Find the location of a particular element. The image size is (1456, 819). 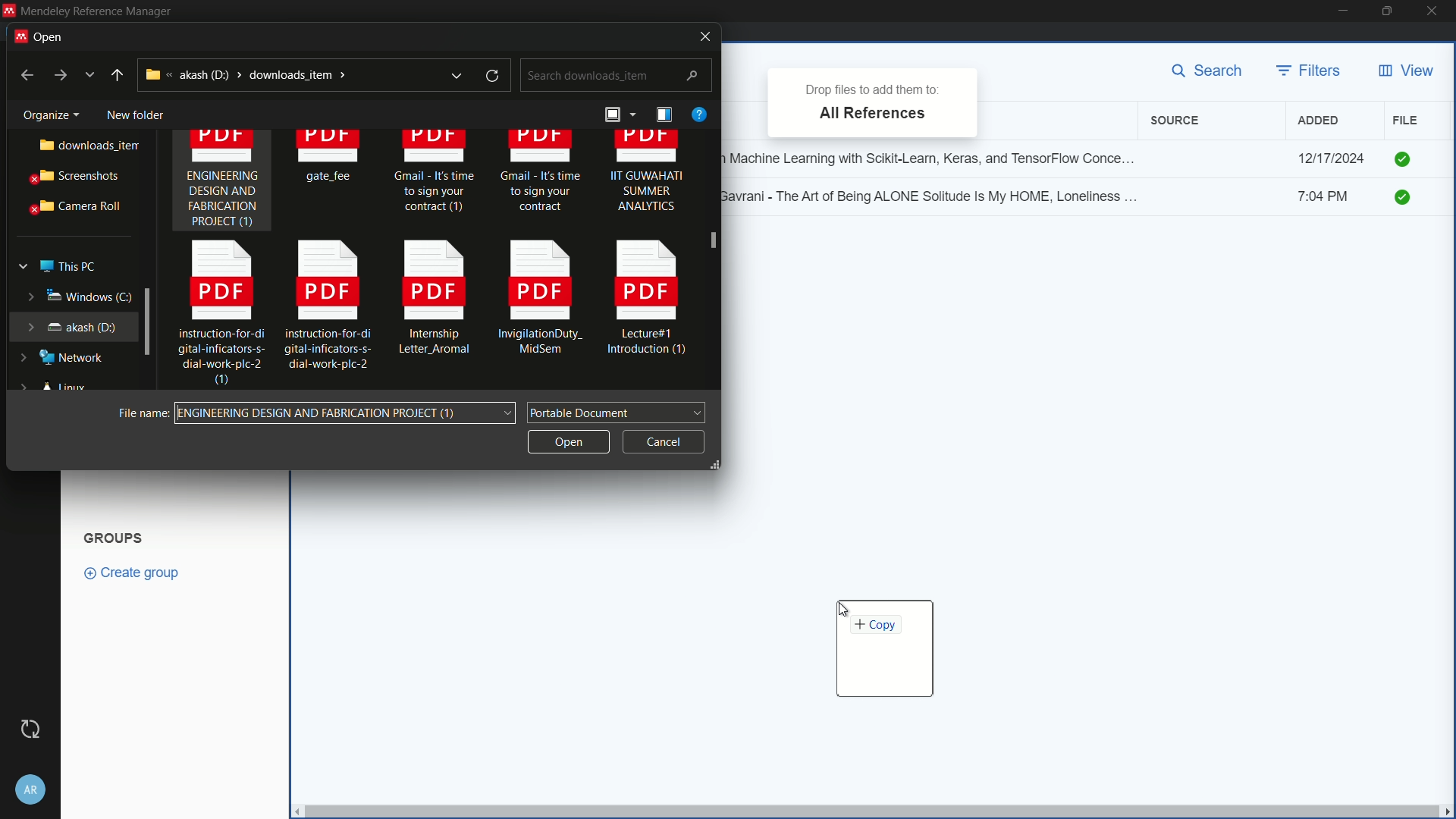

scroll bar is located at coordinates (713, 261).